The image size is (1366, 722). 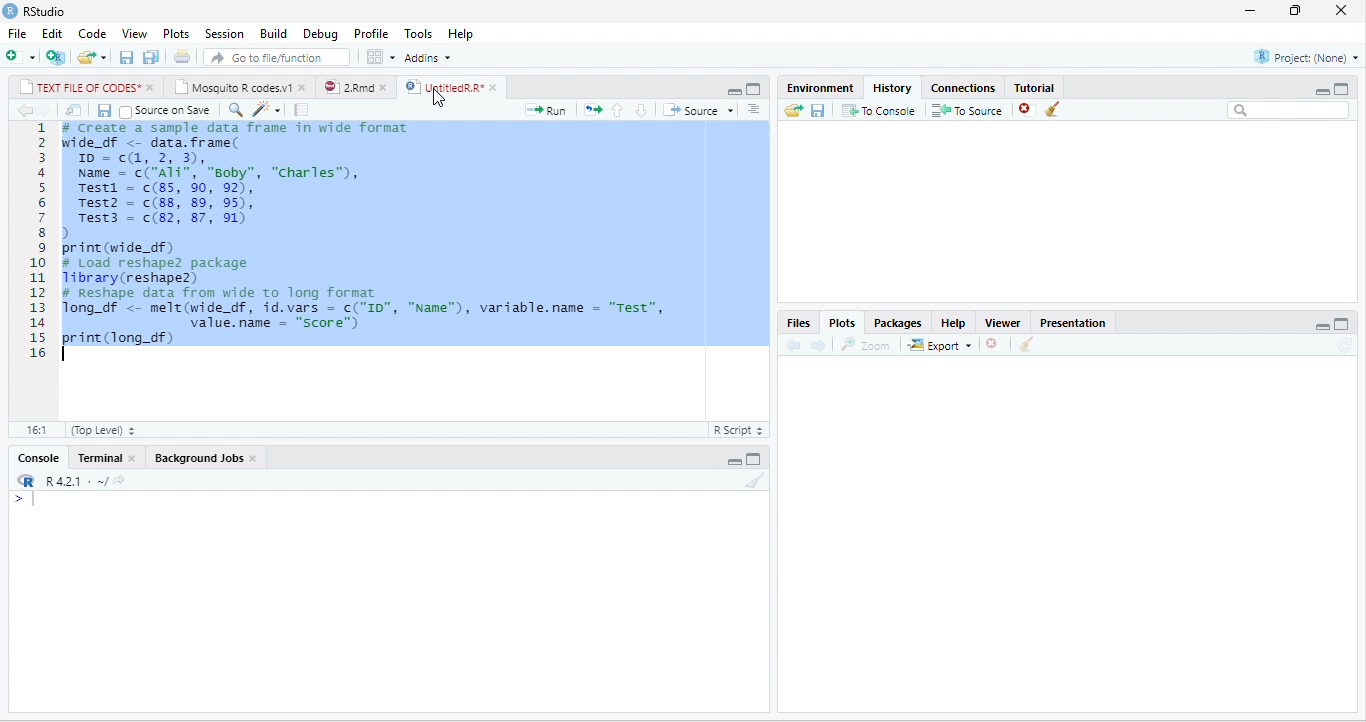 I want to click on View, so click(x=135, y=34).